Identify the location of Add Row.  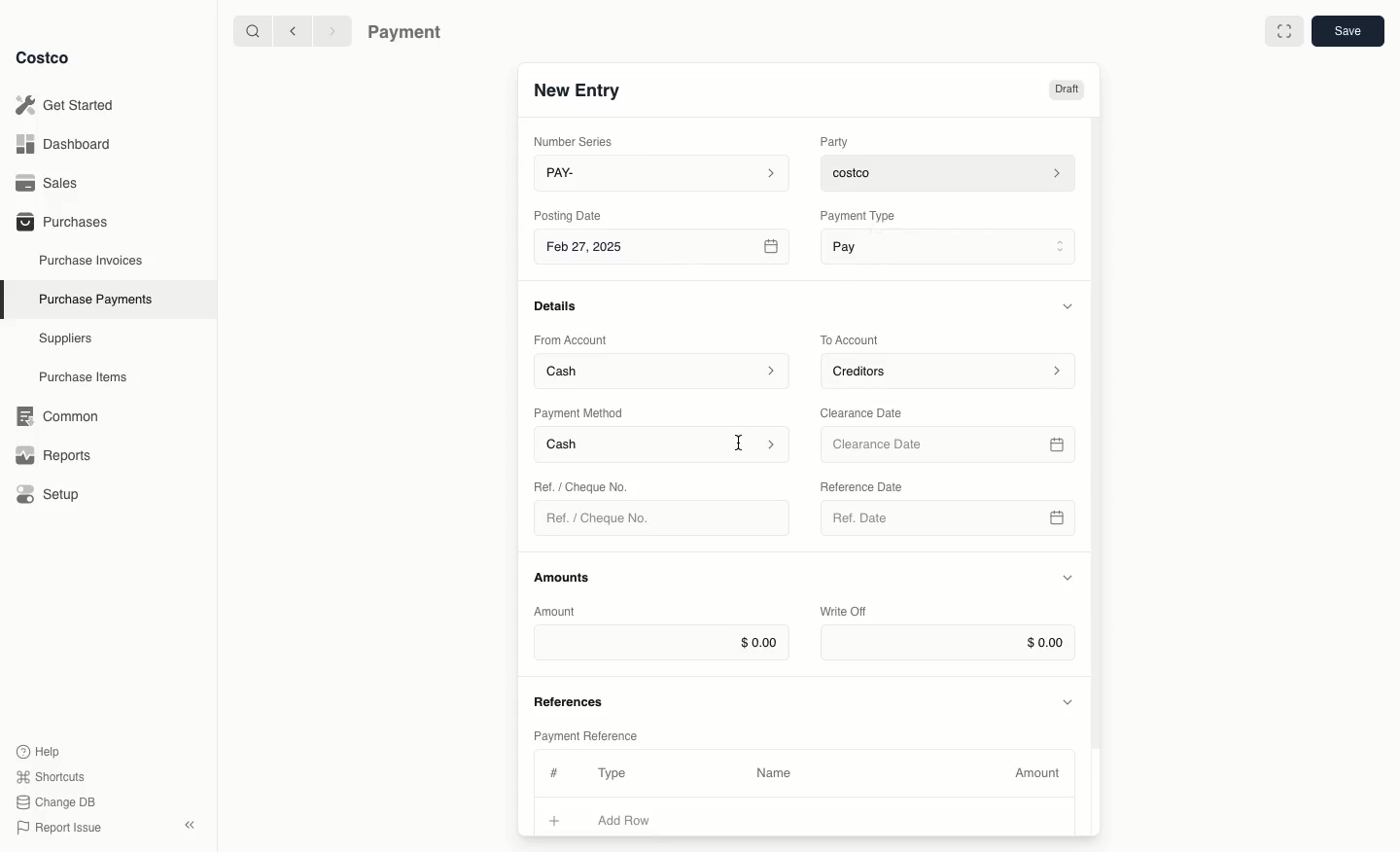
(637, 820).